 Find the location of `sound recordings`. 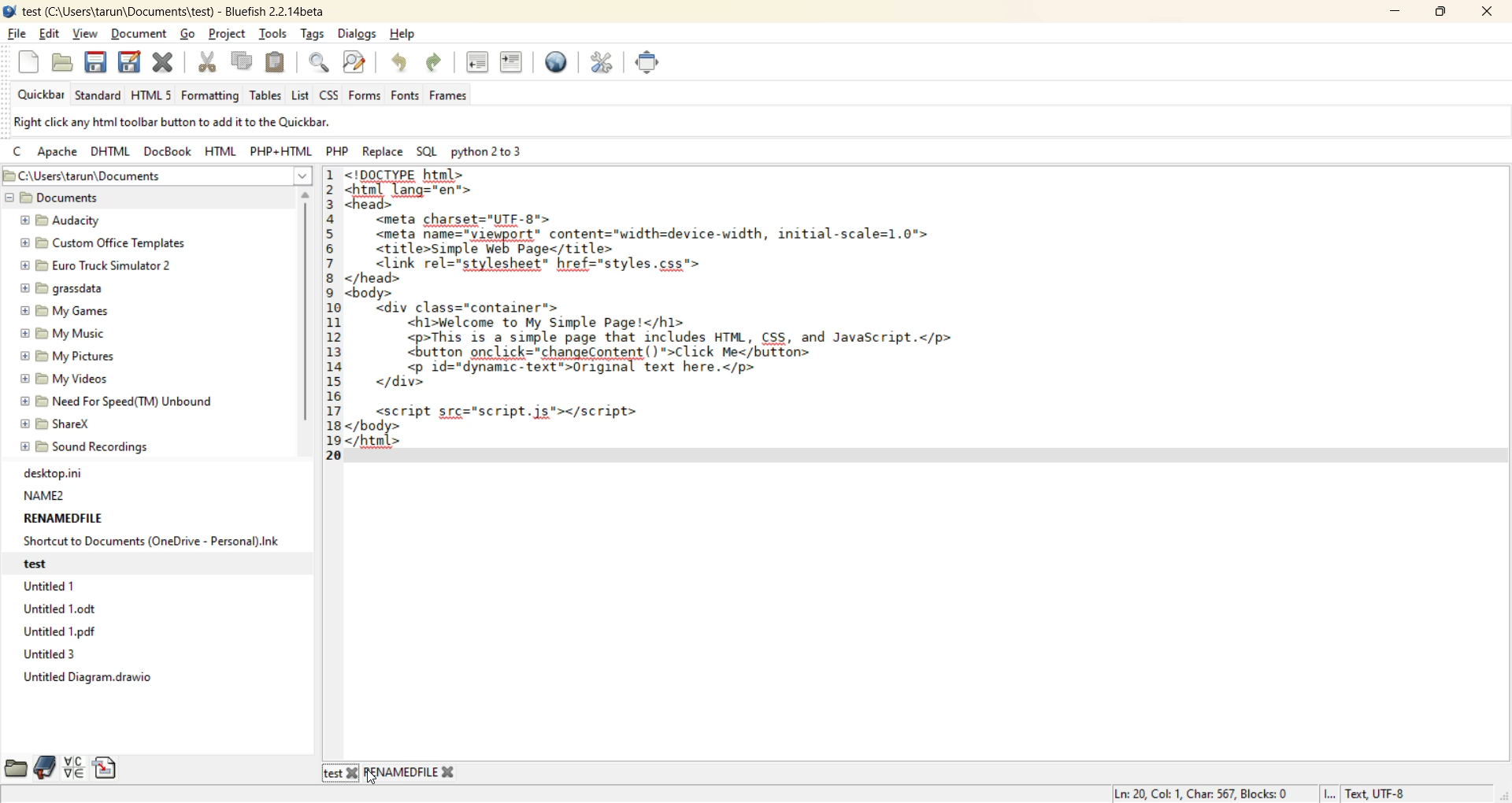

sound recordings is located at coordinates (102, 450).